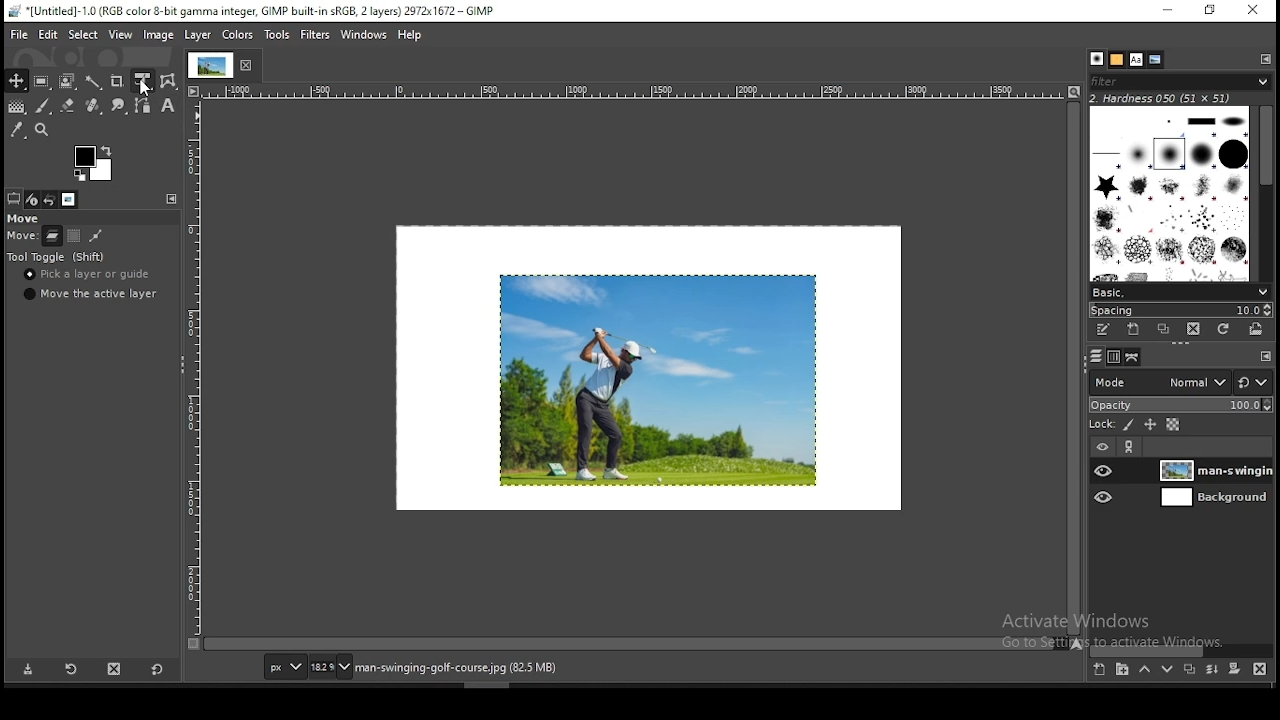  Describe the element at coordinates (1231, 668) in the screenshot. I see `add a mask` at that location.